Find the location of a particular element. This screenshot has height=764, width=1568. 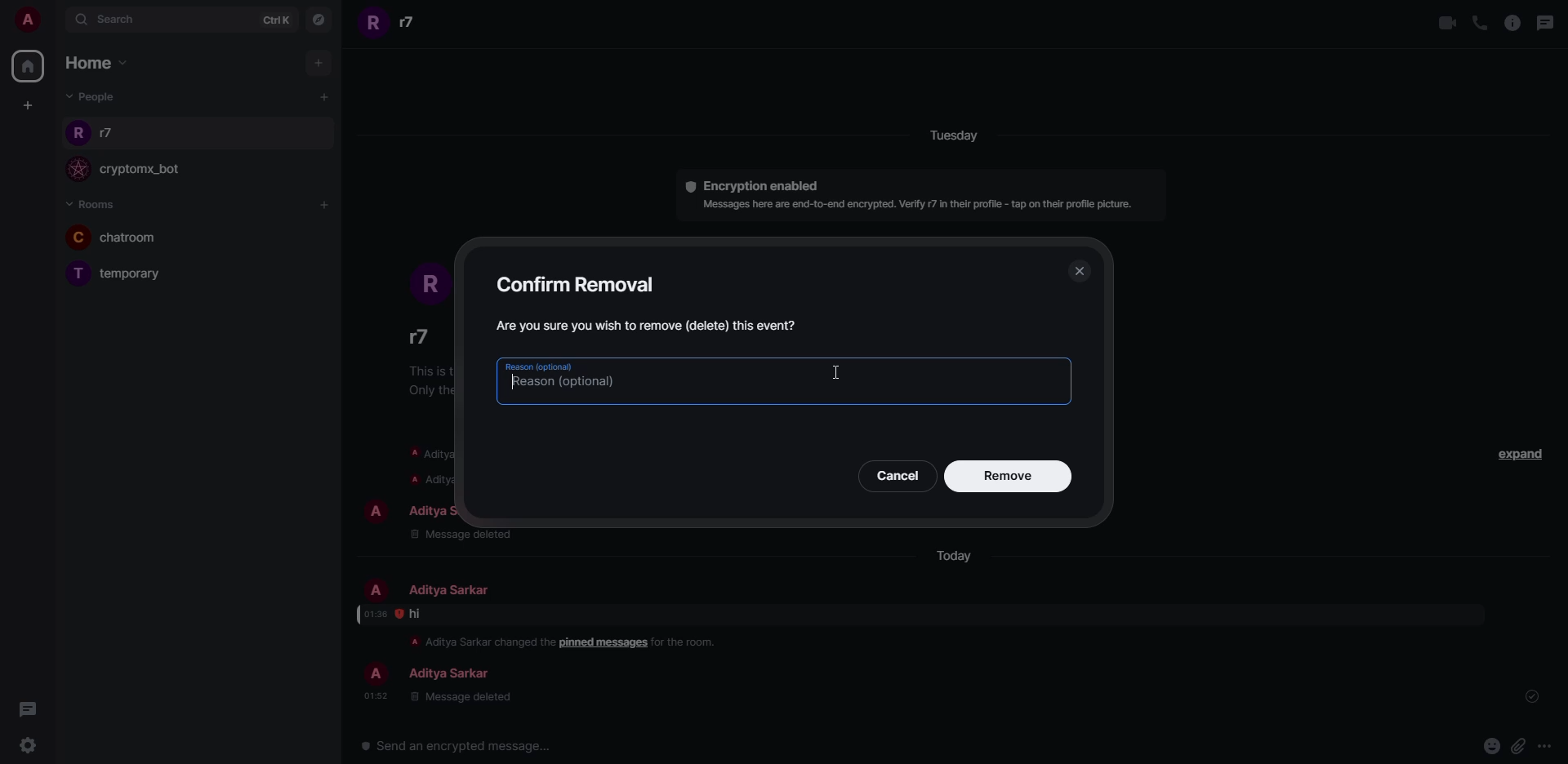

profile is located at coordinates (78, 135).